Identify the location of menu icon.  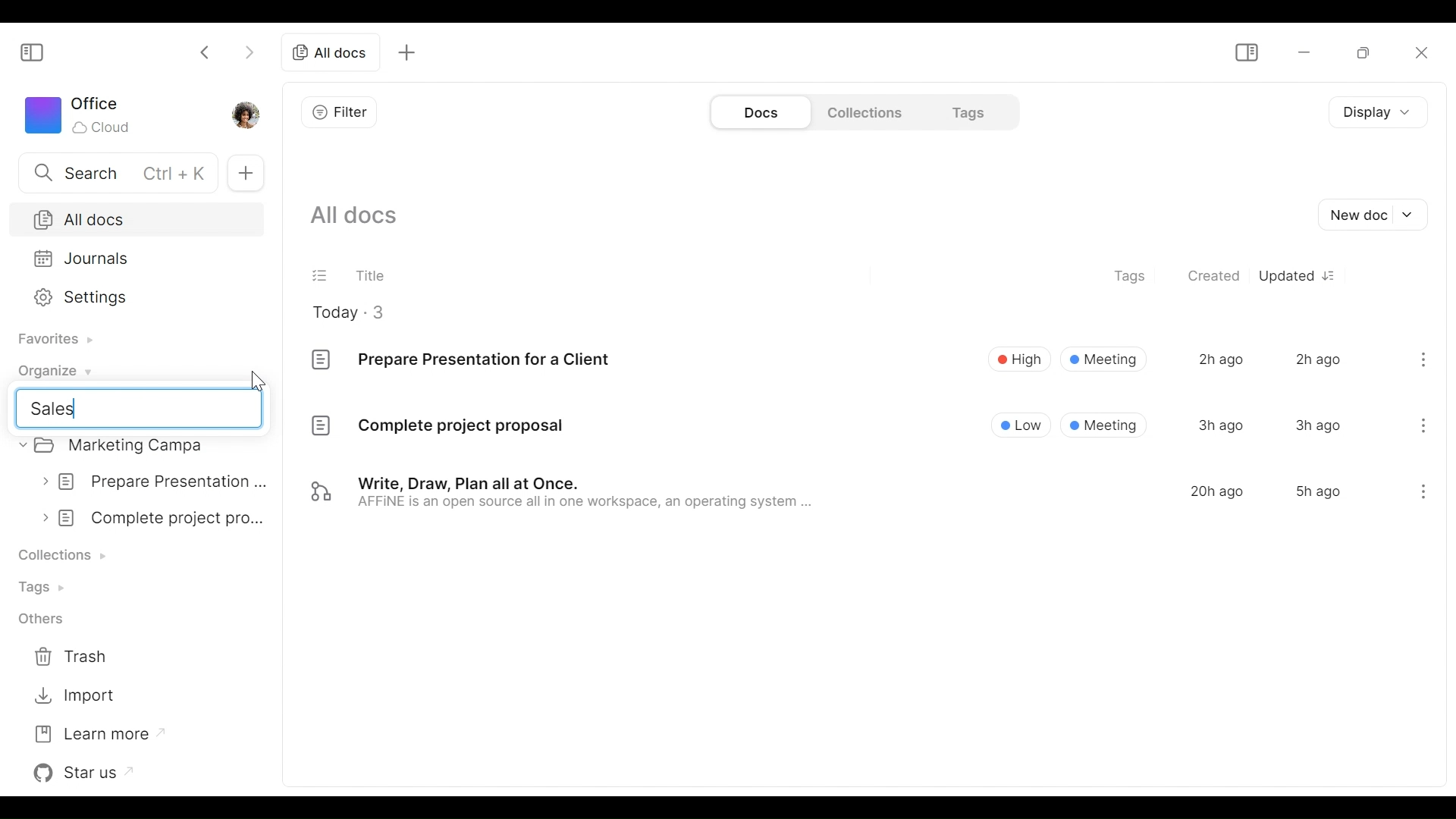
(1423, 423).